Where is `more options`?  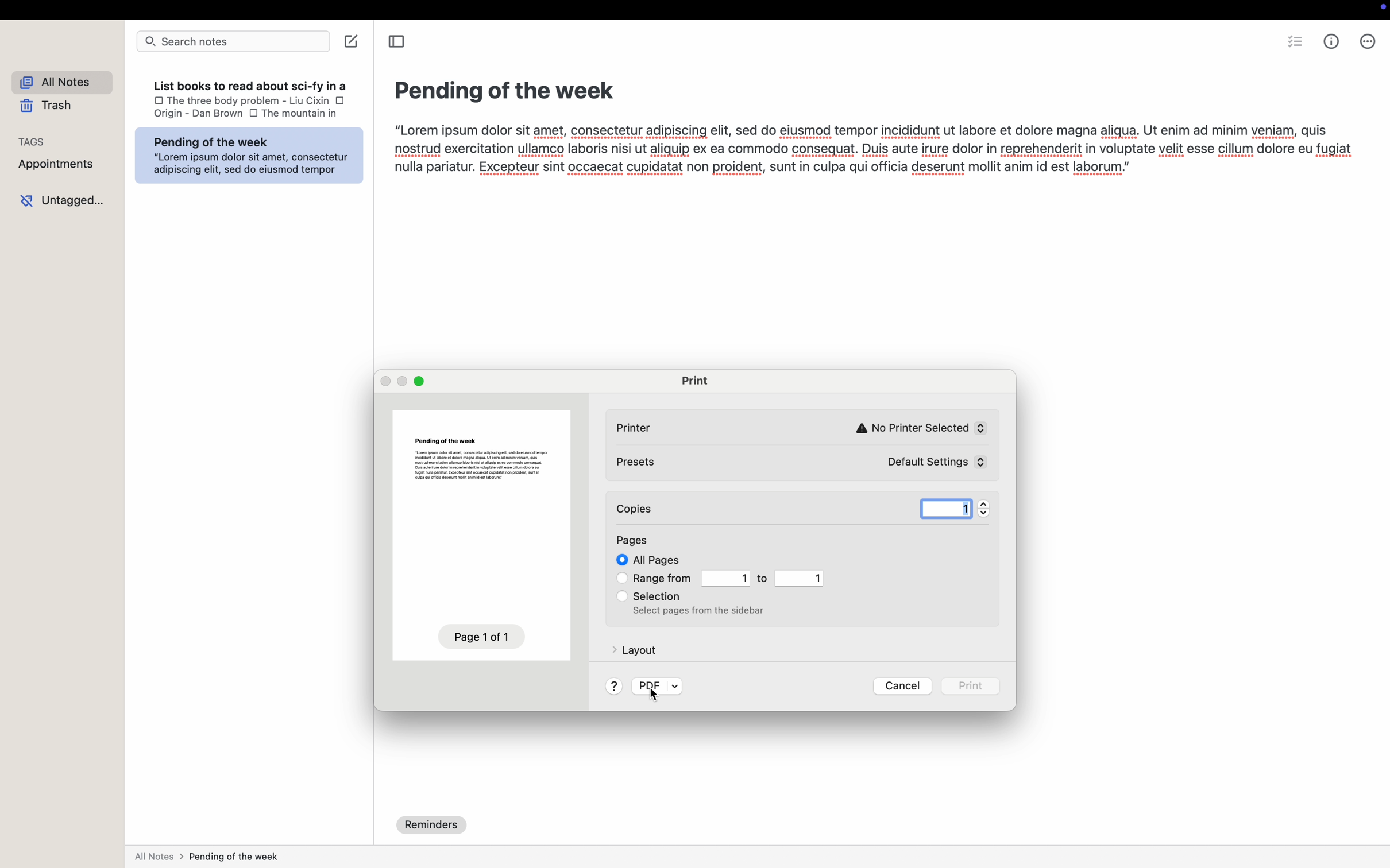
more options is located at coordinates (1368, 44).